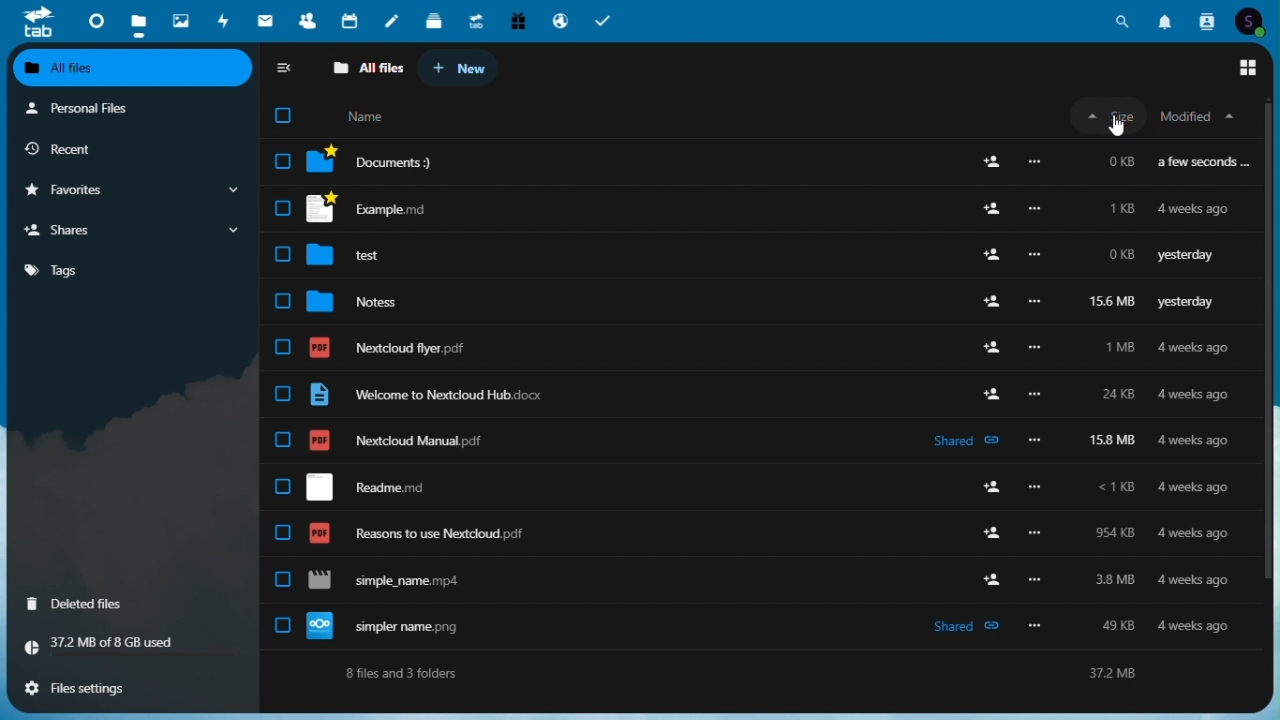  What do you see at coordinates (1250, 22) in the screenshot?
I see `Account icon` at bounding box center [1250, 22].